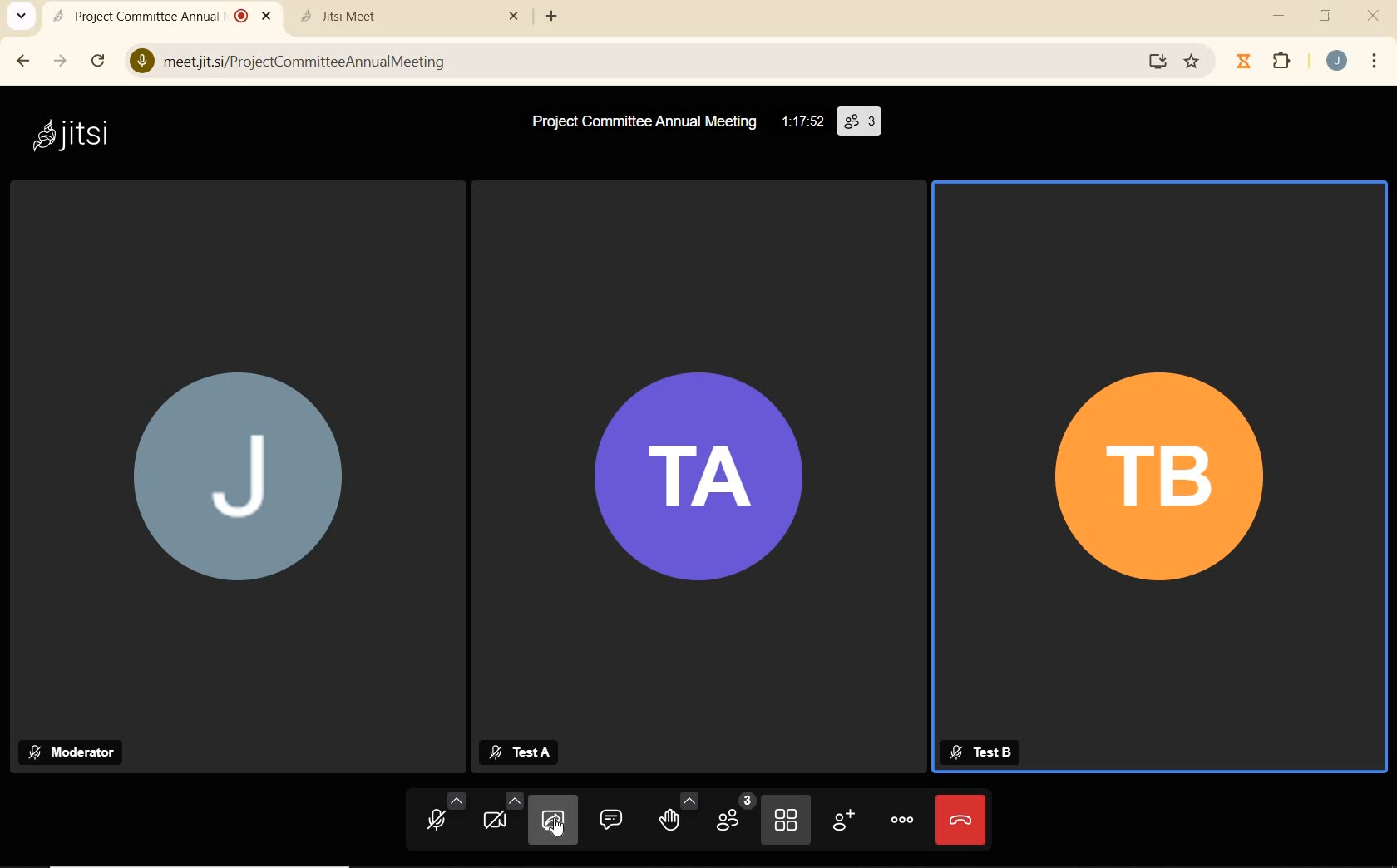  Describe the element at coordinates (1281, 16) in the screenshot. I see `MINIMIZE` at that location.